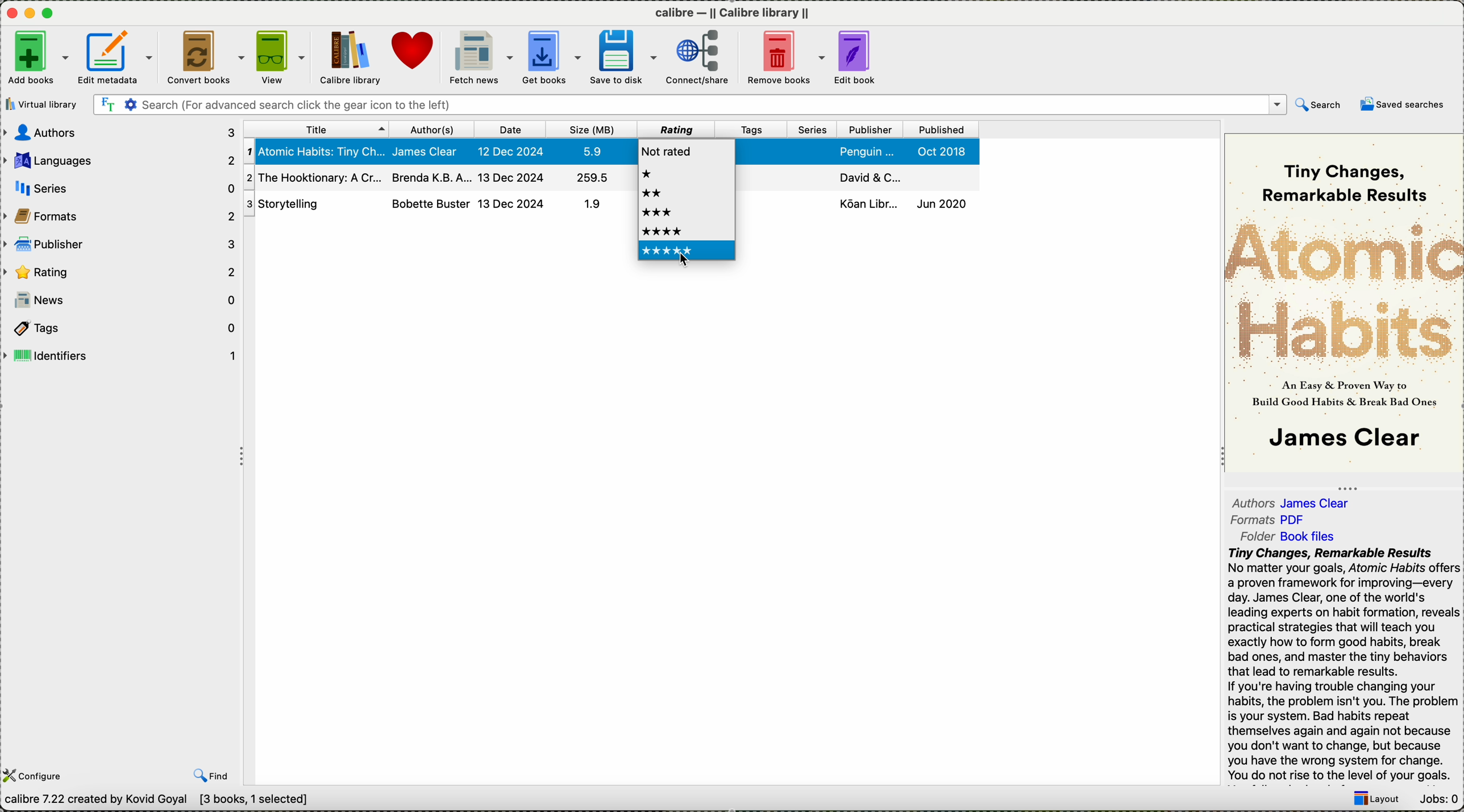 Image resolution: width=1464 pixels, height=812 pixels. What do you see at coordinates (30, 12) in the screenshot?
I see `minimize` at bounding box center [30, 12].